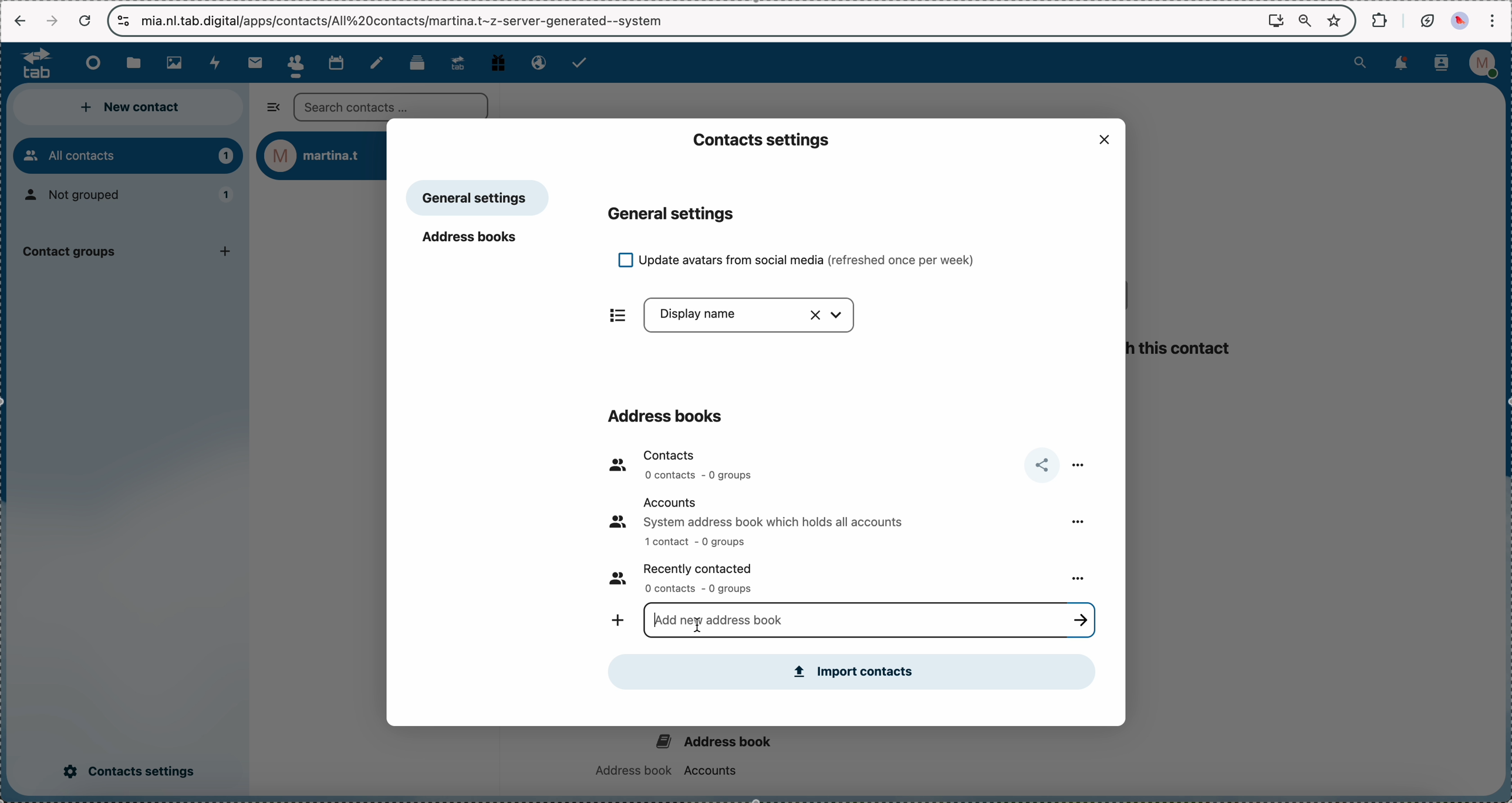 Image resolution: width=1512 pixels, height=803 pixels. Describe the element at coordinates (379, 63) in the screenshot. I see `notes` at that location.